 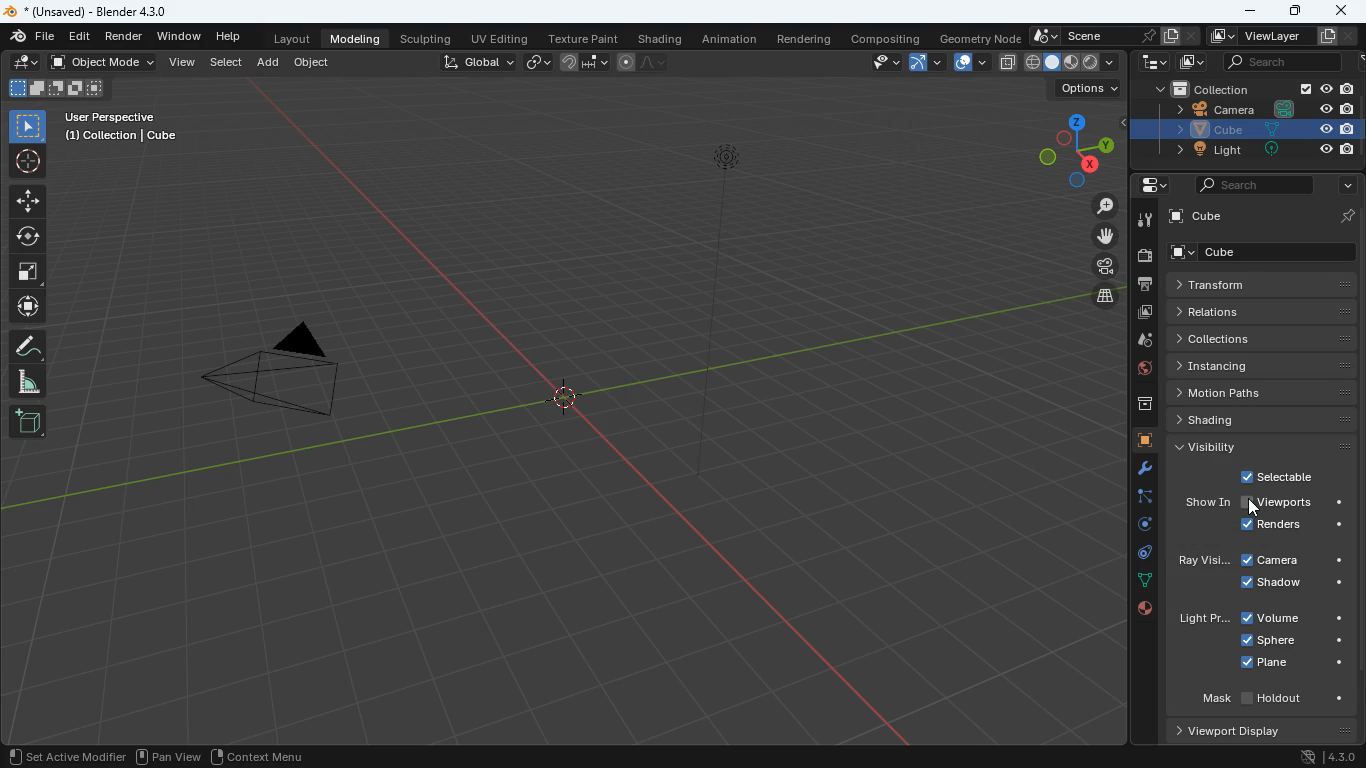 I want to click on rendering, so click(x=808, y=39).